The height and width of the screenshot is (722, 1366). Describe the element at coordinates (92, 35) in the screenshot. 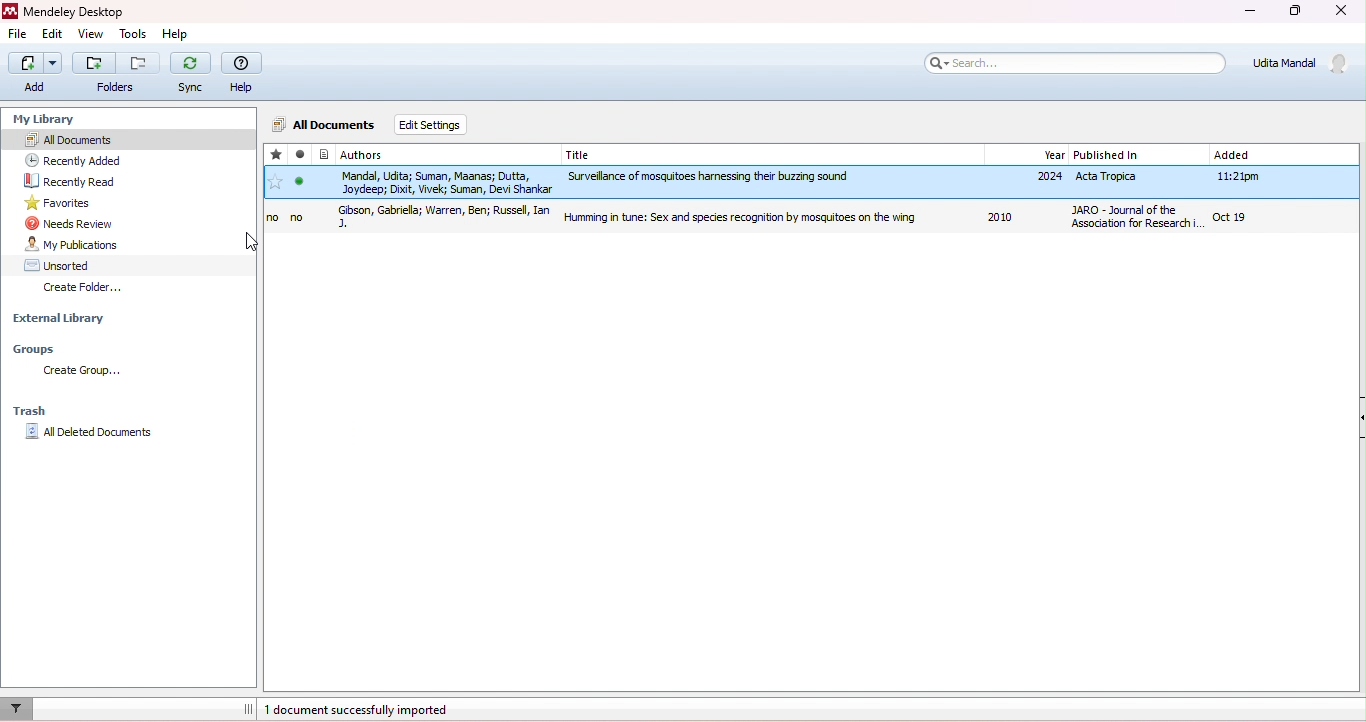

I see `view` at that location.